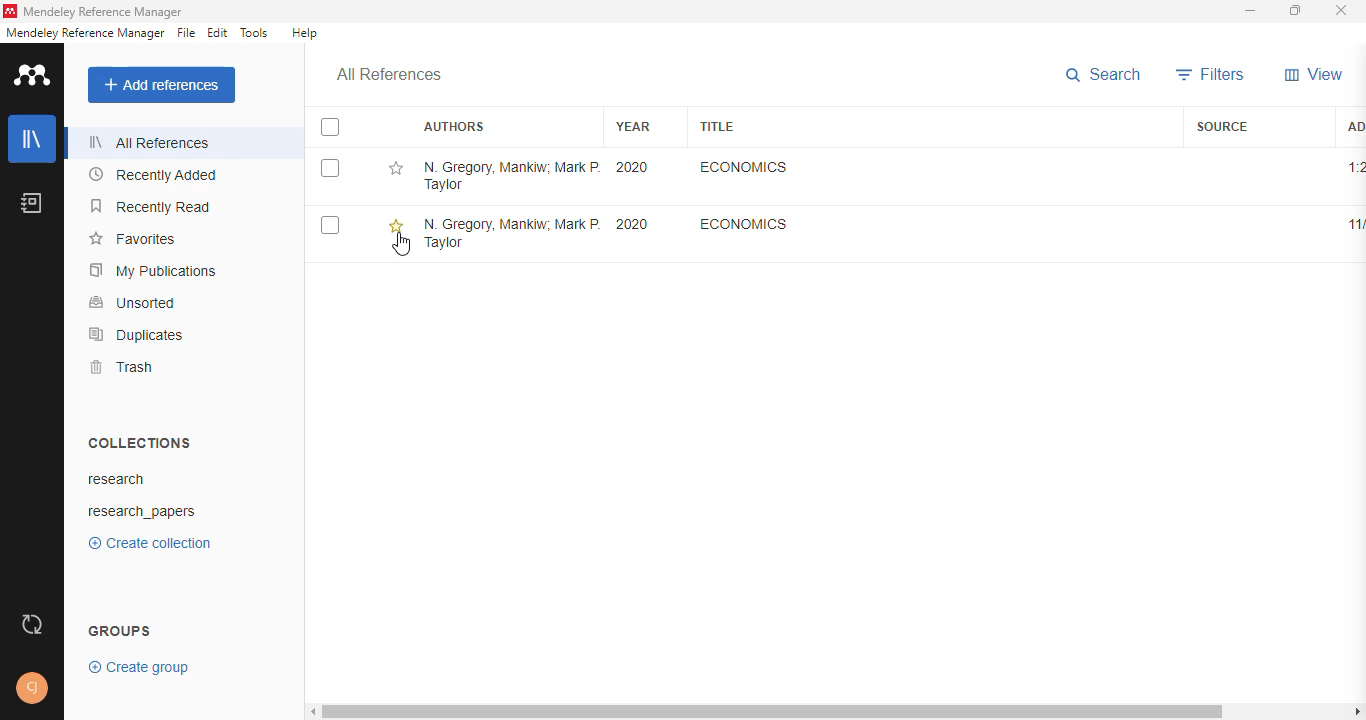 This screenshot has width=1366, height=720. Describe the element at coordinates (33, 138) in the screenshot. I see `library` at that location.